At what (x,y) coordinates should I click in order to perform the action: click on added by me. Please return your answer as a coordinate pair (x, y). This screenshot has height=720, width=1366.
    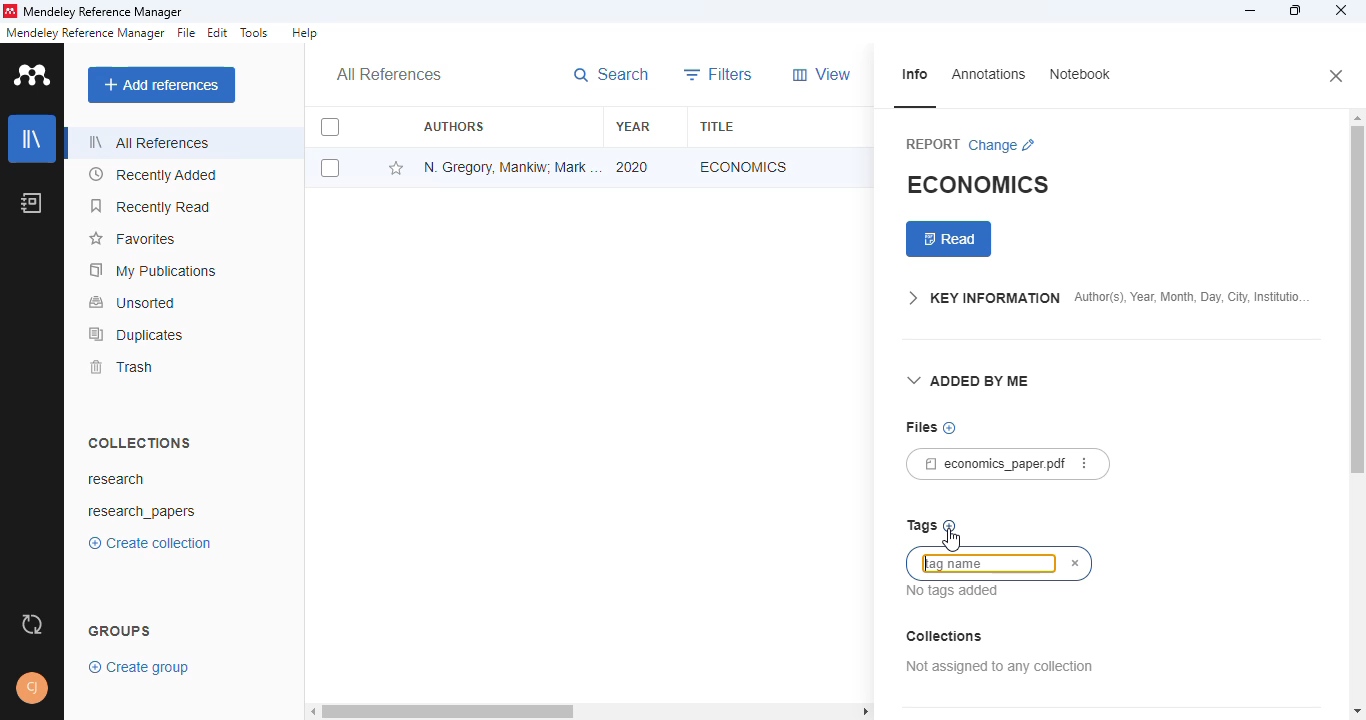
    Looking at the image, I should click on (969, 382).